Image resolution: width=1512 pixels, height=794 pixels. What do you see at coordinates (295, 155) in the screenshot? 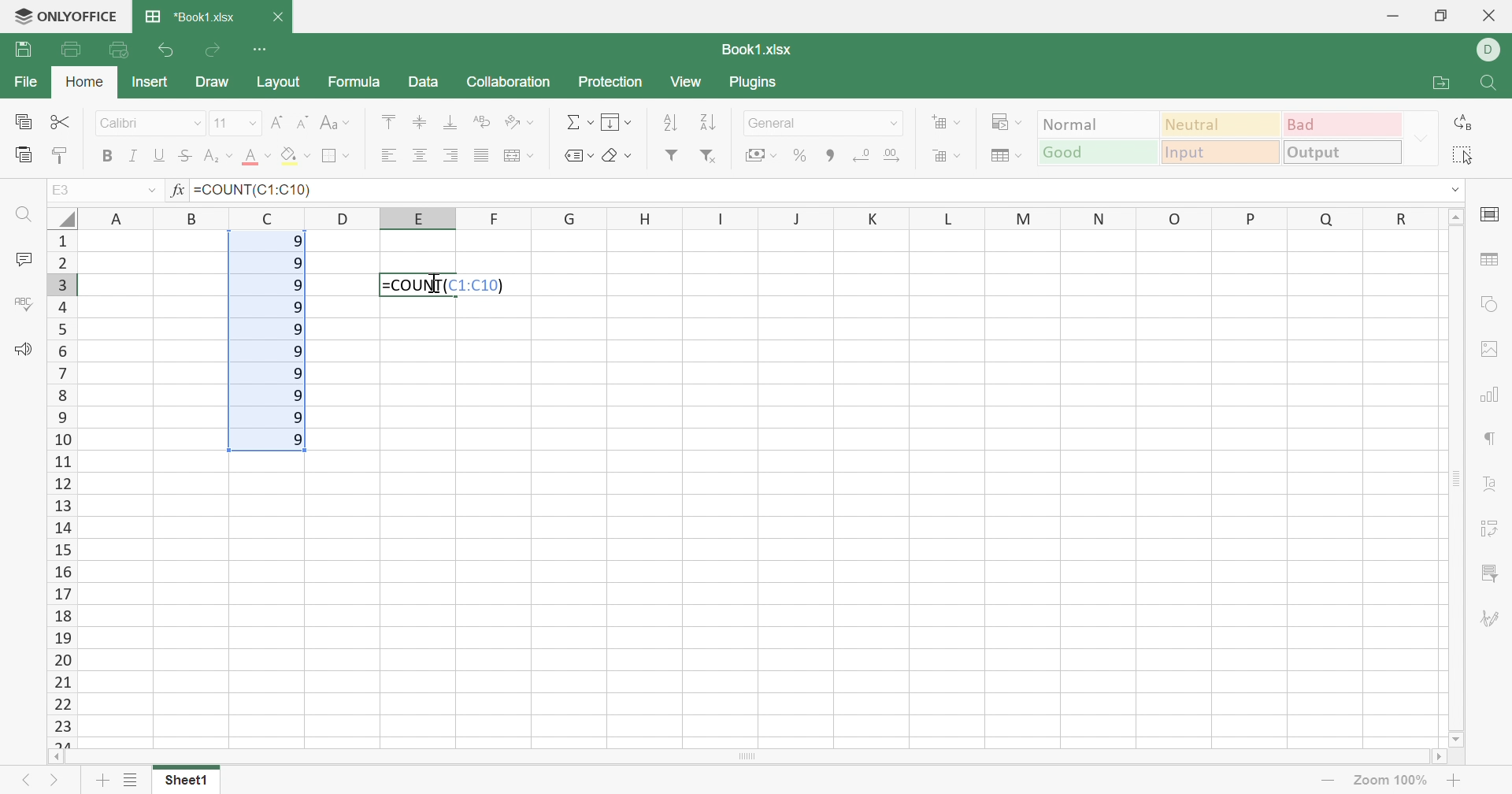
I see `Fill color` at bounding box center [295, 155].